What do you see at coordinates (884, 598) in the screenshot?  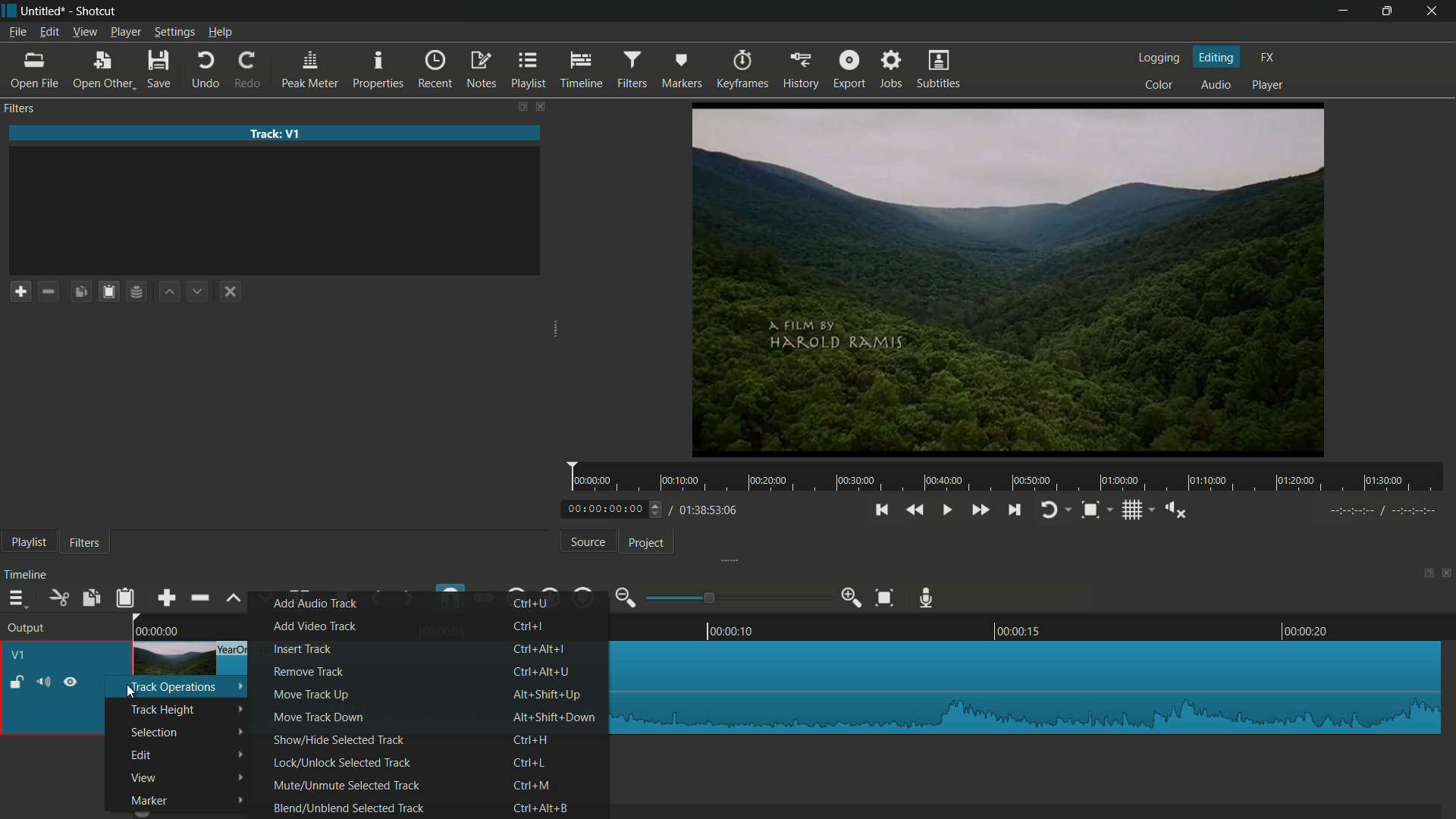 I see `zoom timeline to fit` at bounding box center [884, 598].